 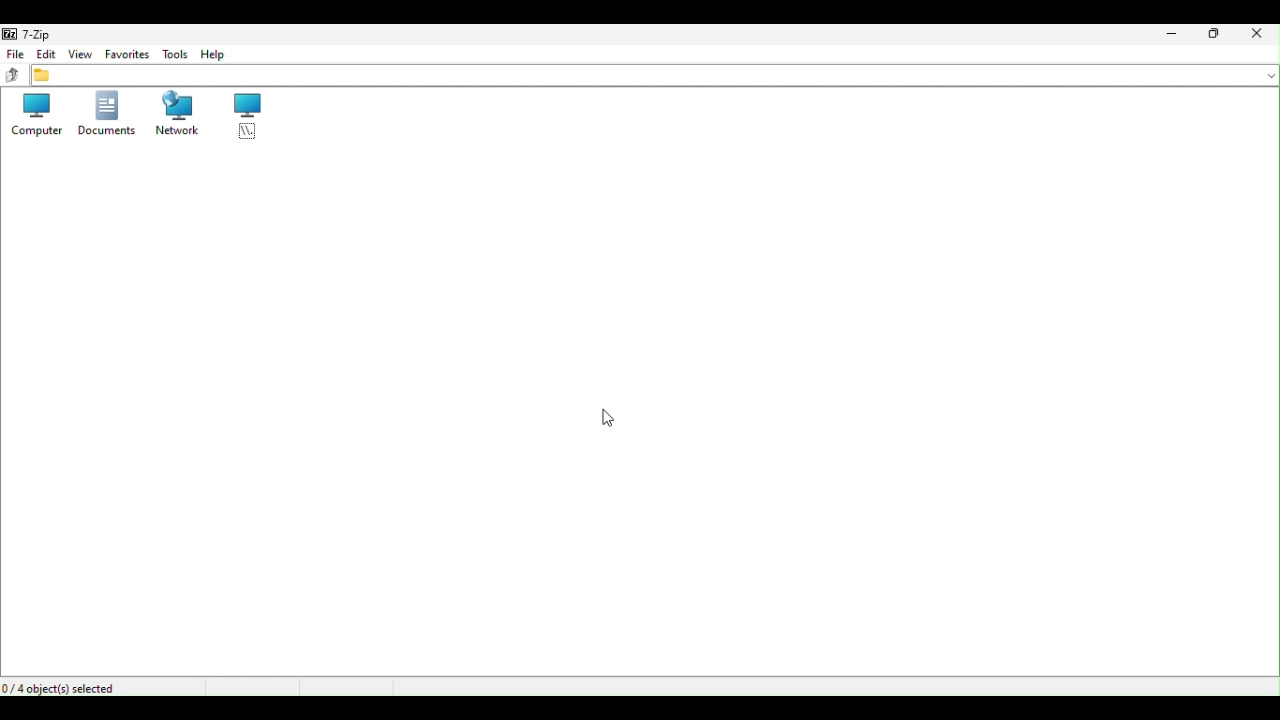 I want to click on Computer, so click(x=38, y=118).